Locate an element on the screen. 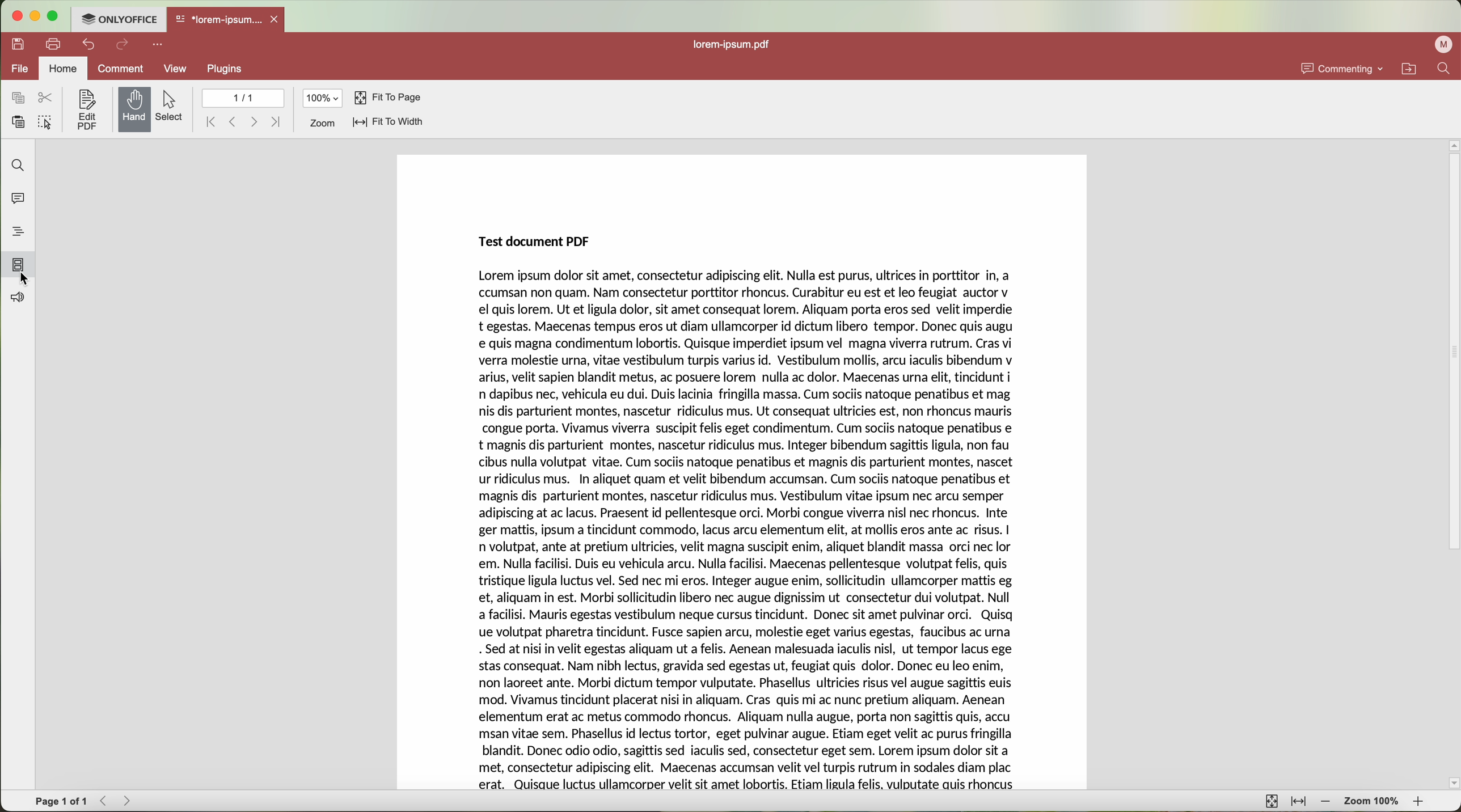  plugins is located at coordinates (225, 69).